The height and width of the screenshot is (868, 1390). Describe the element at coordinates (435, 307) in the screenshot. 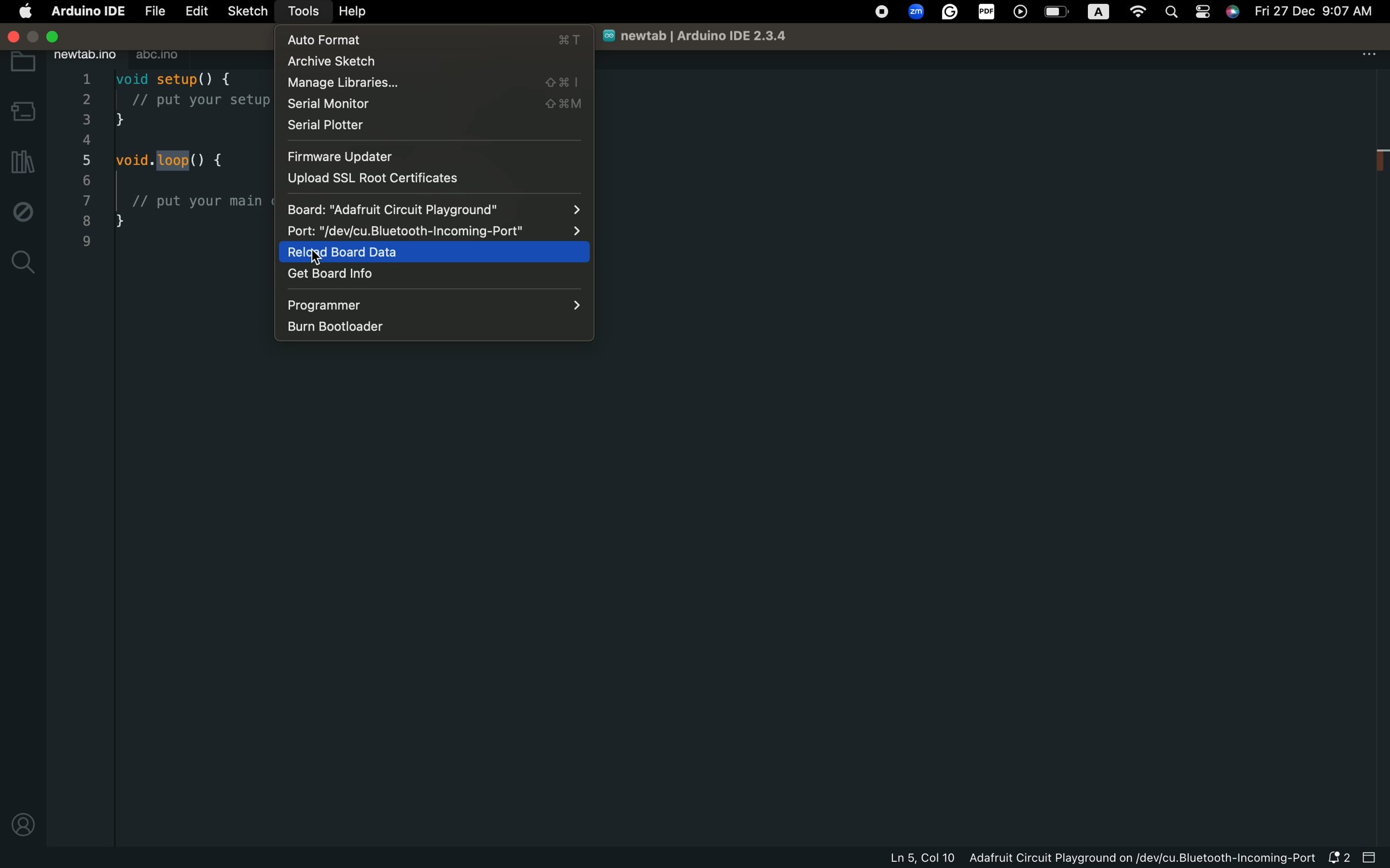

I see `programmer` at that location.